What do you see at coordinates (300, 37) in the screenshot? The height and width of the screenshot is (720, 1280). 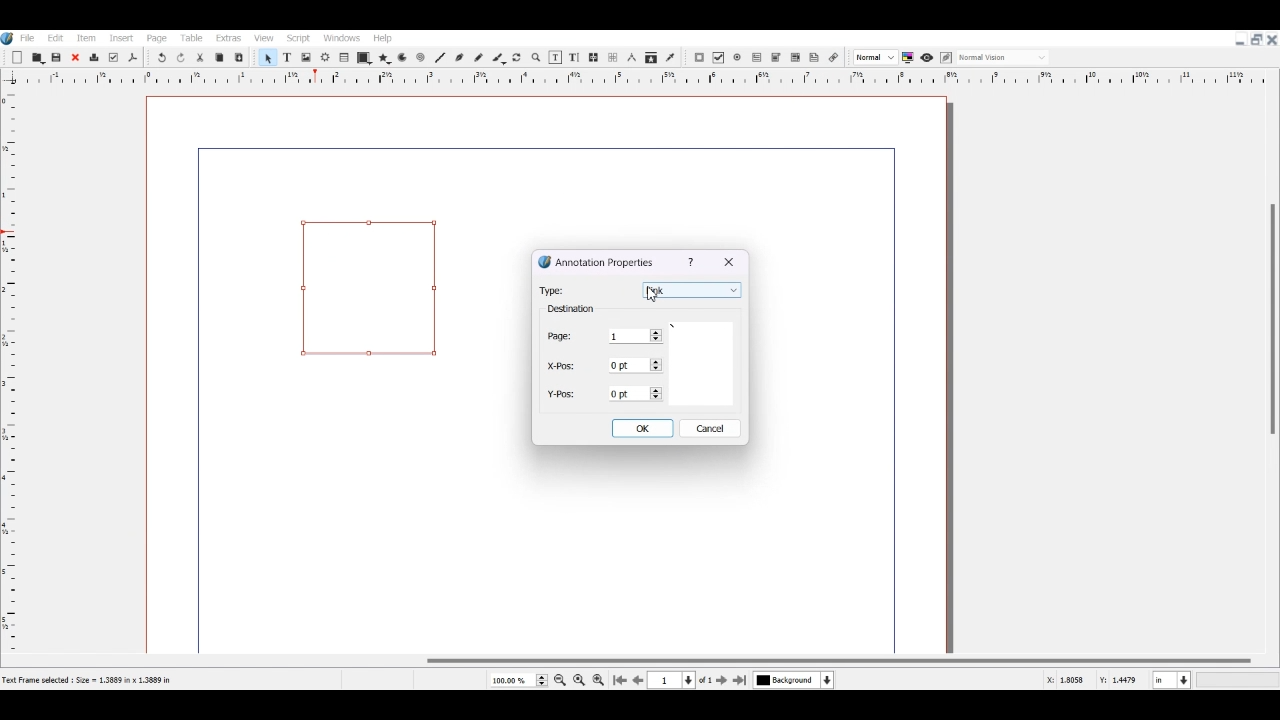 I see `Script` at bounding box center [300, 37].